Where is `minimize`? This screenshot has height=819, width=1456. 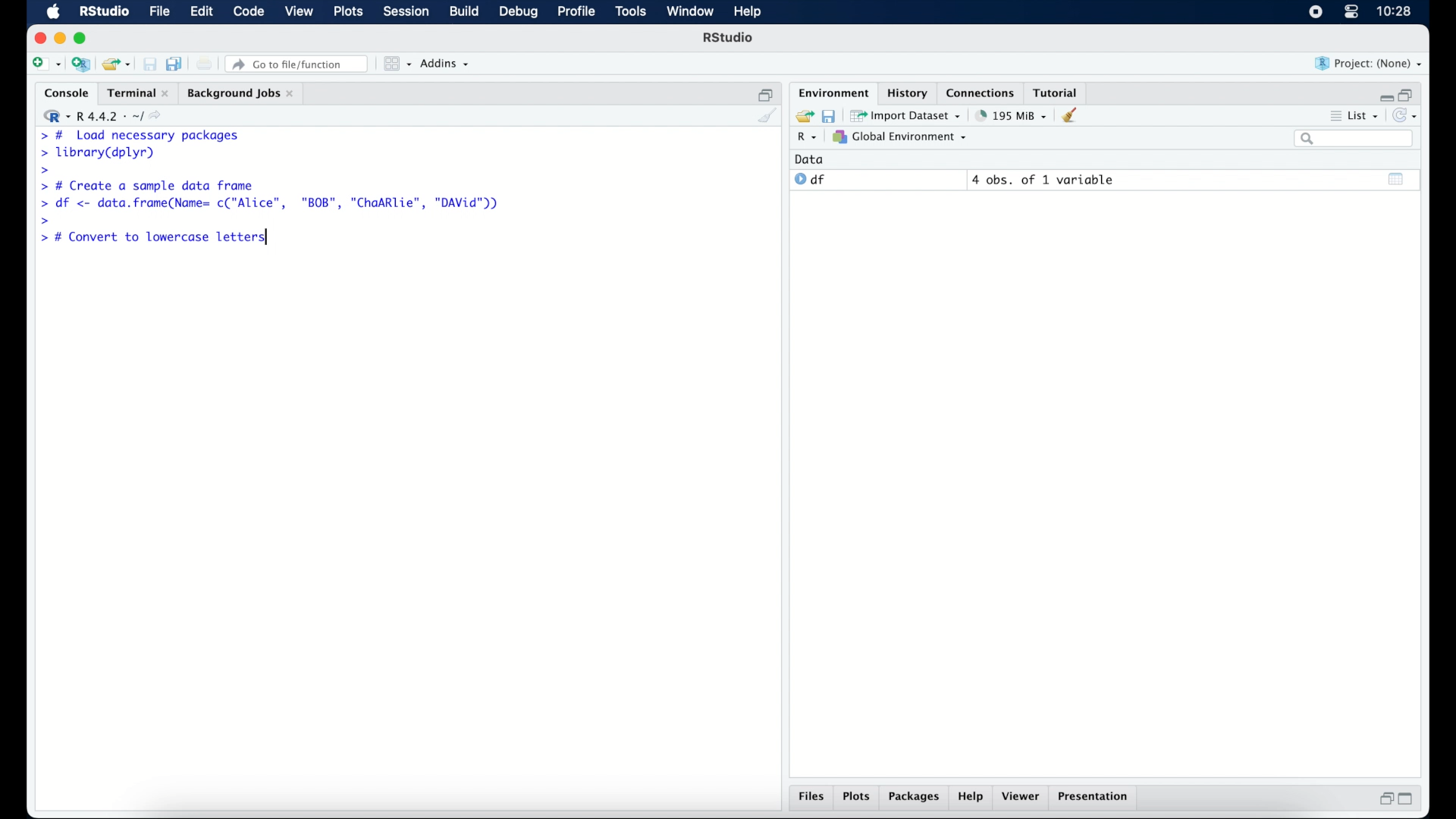
minimize is located at coordinates (1384, 94).